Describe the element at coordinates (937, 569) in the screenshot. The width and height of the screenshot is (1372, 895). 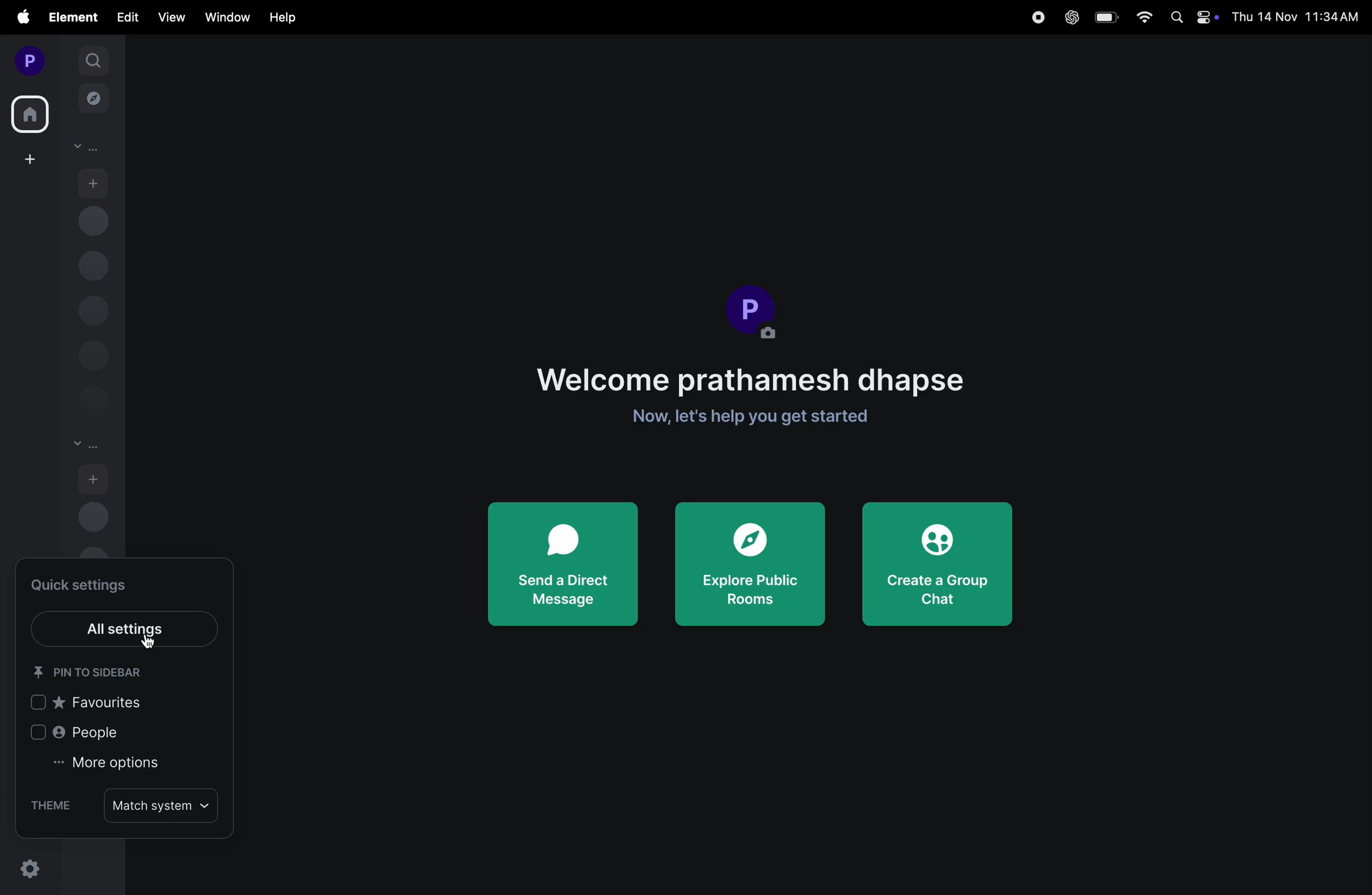
I see `create a chat group` at that location.